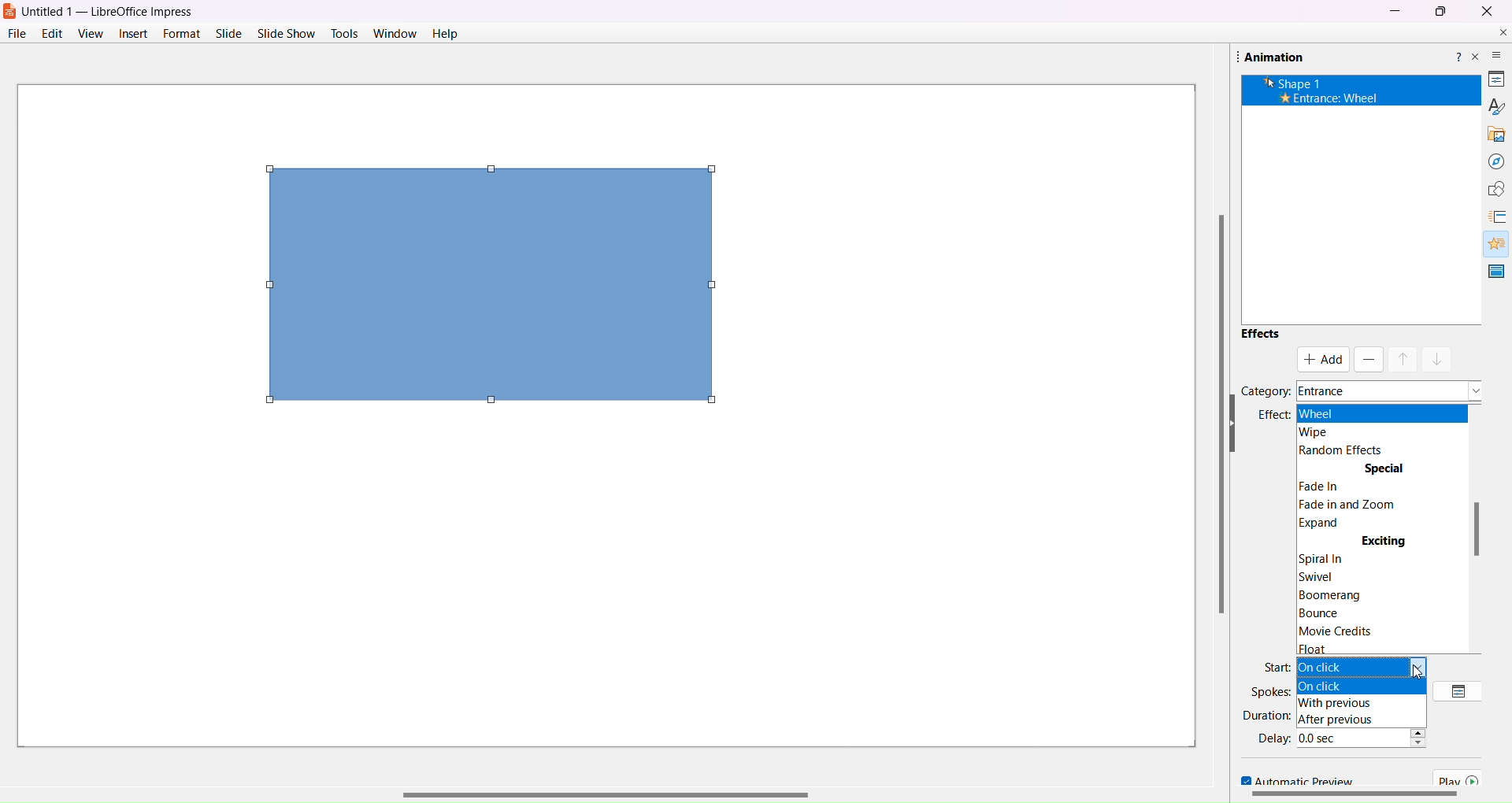 The height and width of the screenshot is (803, 1512). Describe the element at coordinates (655, 790) in the screenshot. I see `Horizontal Scroll Bar` at that location.